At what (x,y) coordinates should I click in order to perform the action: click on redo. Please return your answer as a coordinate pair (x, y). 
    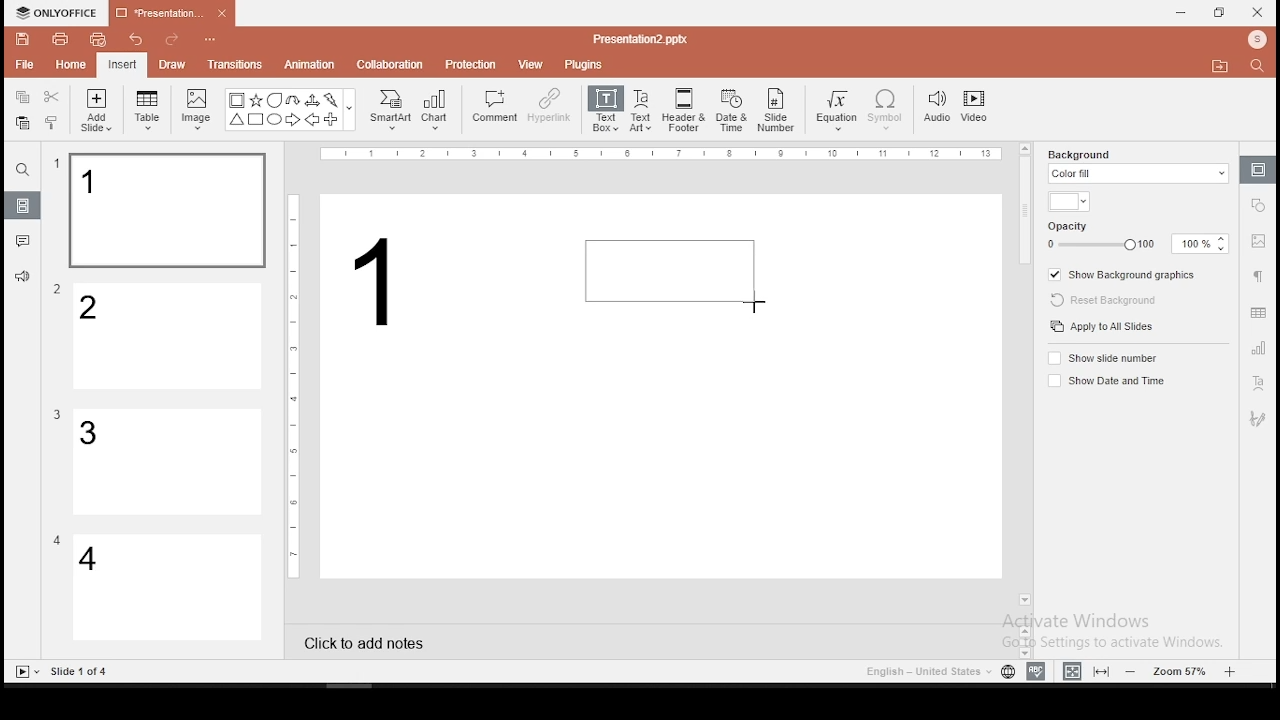
    Looking at the image, I should click on (172, 42).